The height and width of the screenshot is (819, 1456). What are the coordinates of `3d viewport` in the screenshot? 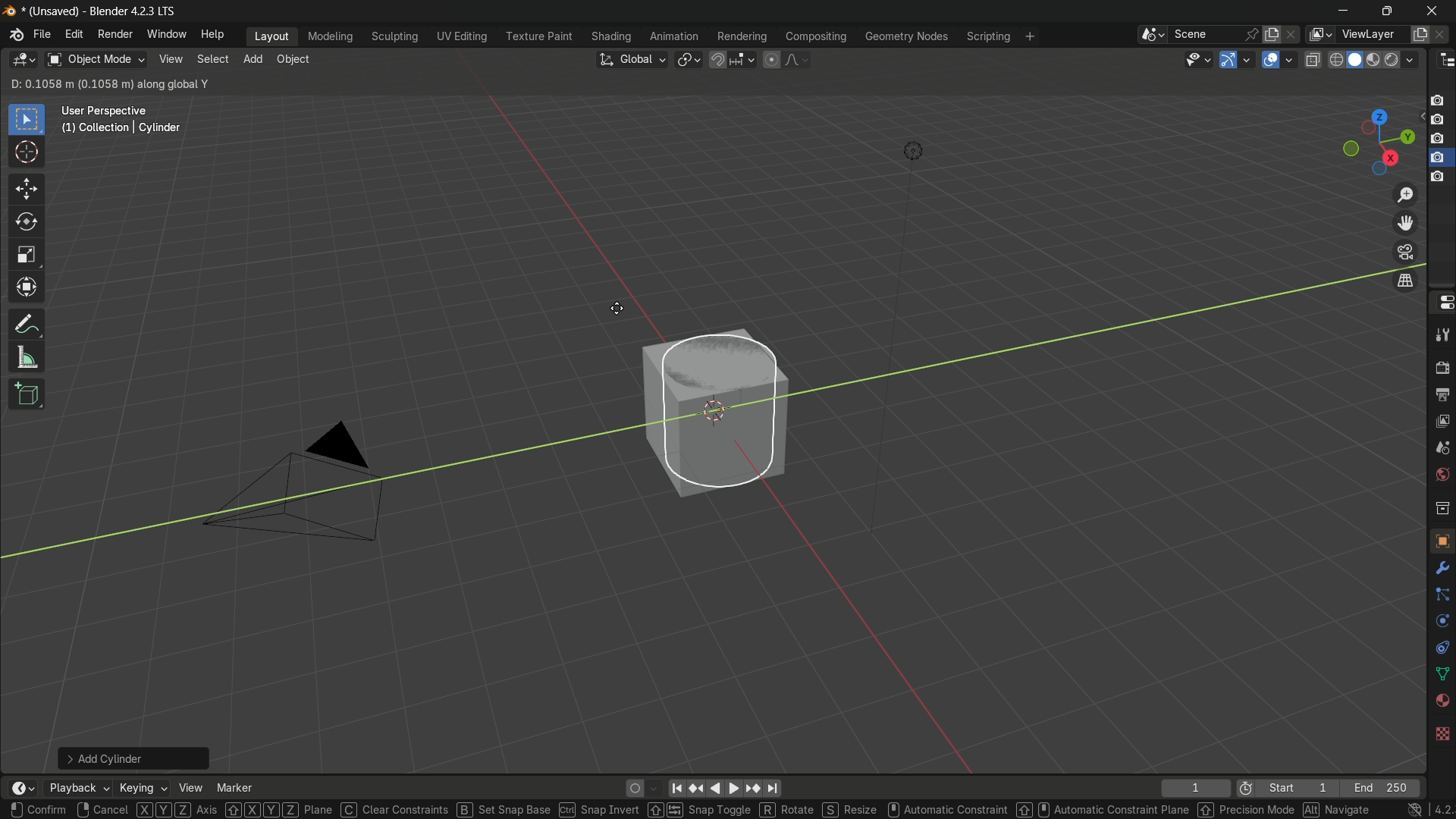 It's located at (23, 60).